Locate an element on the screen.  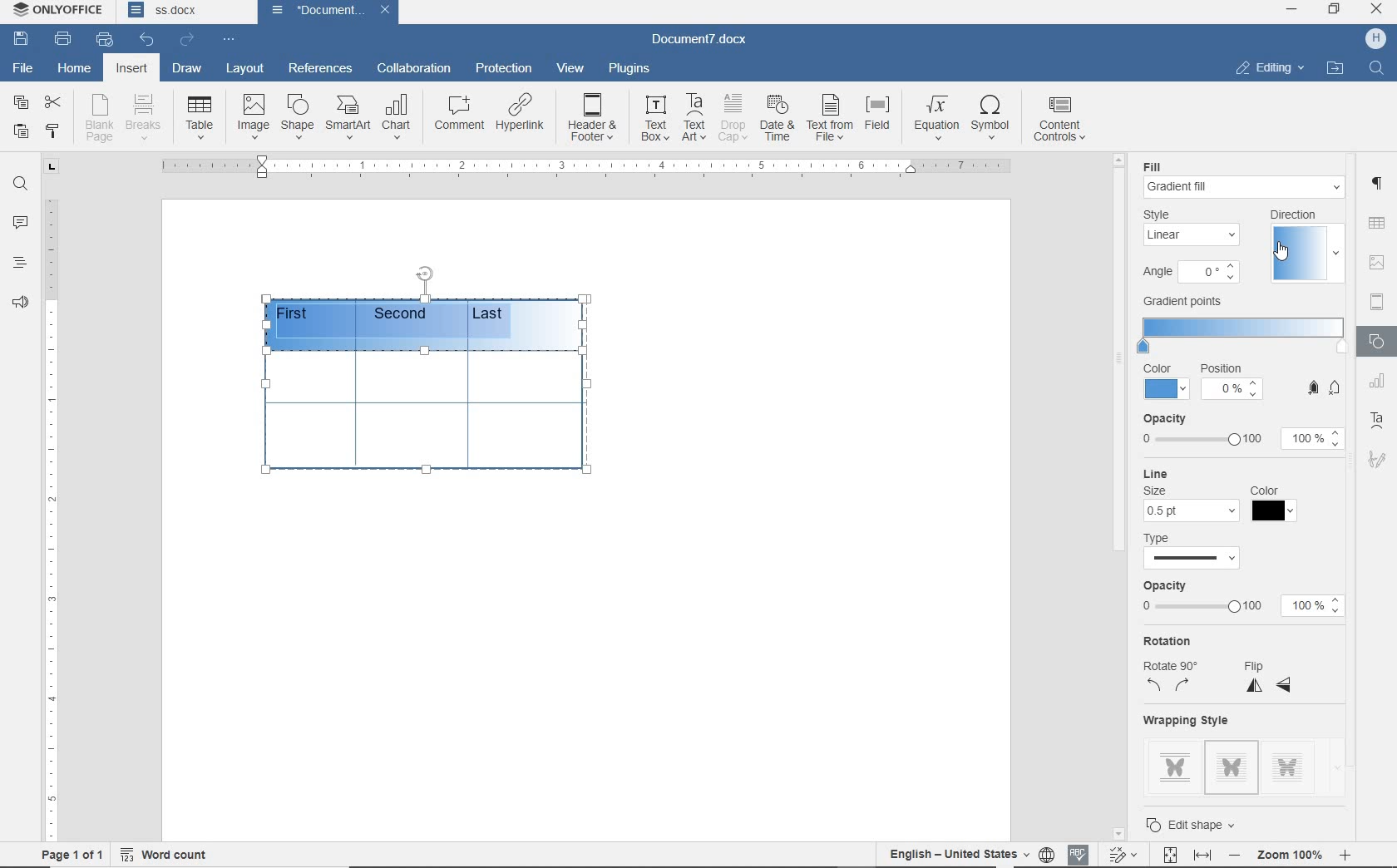
text box is located at coordinates (654, 118).